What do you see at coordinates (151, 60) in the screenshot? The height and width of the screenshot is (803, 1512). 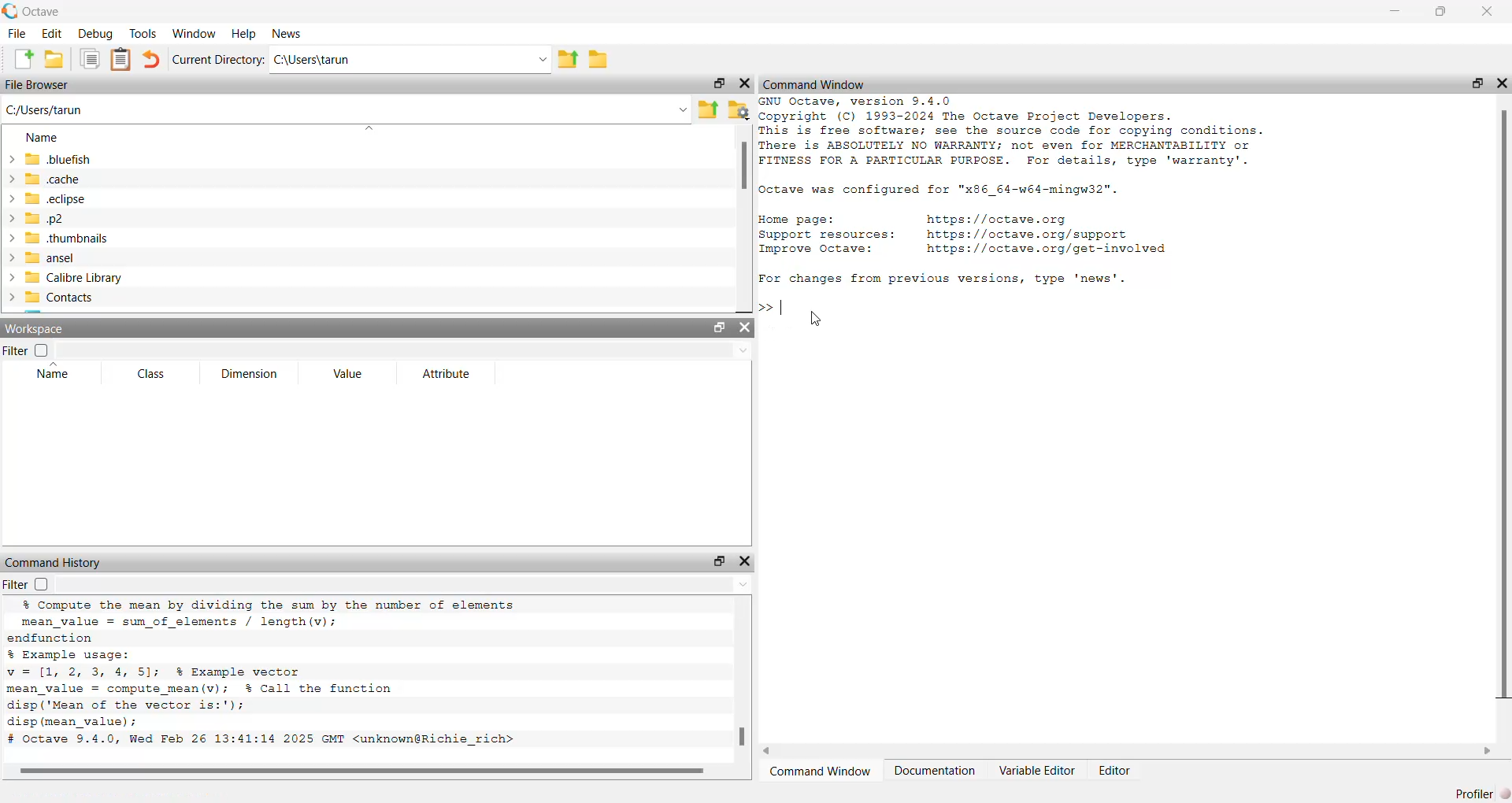 I see `undo` at bounding box center [151, 60].